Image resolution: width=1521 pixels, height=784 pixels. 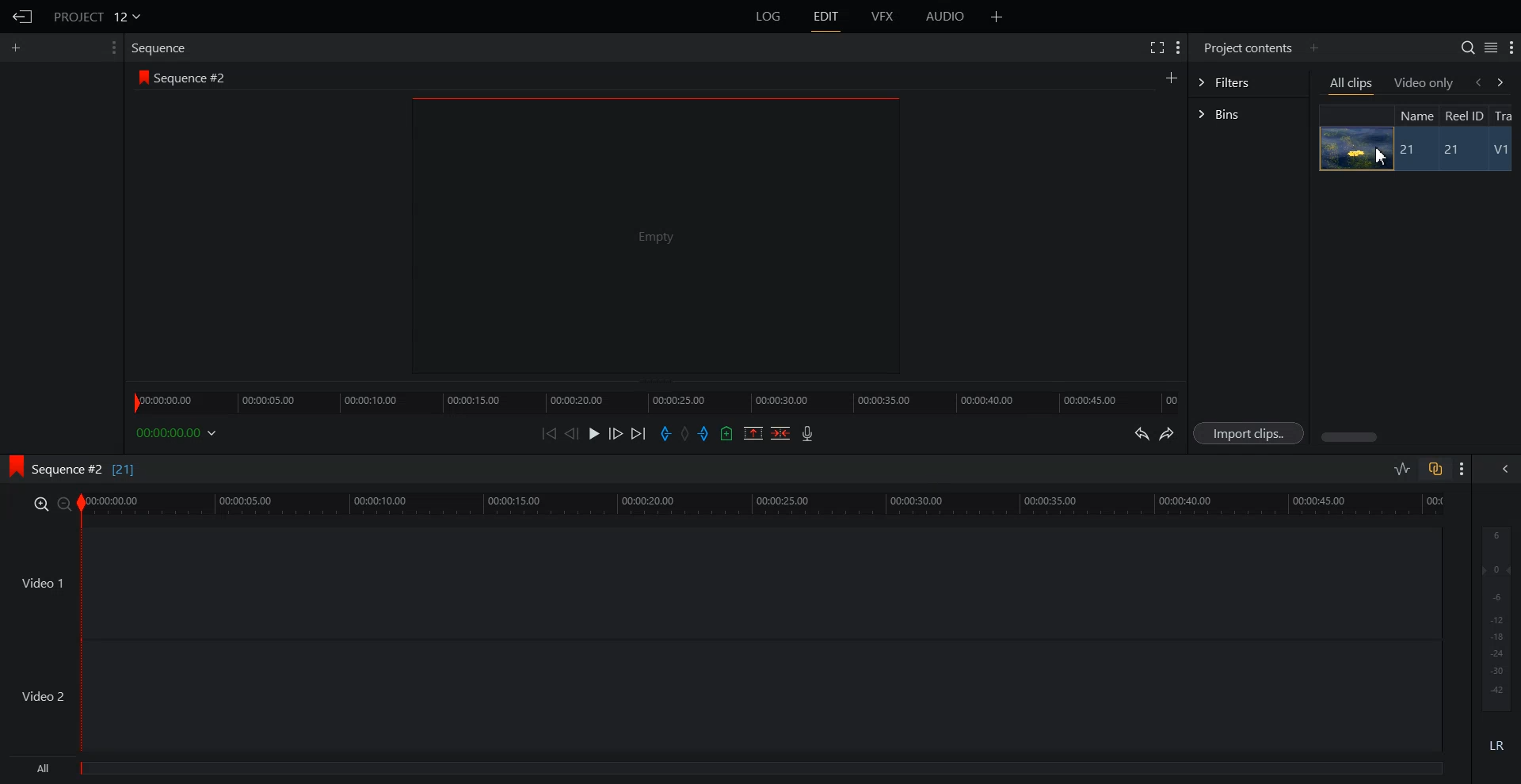 What do you see at coordinates (1178, 48) in the screenshot?
I see `Show setting menu` at bounding box center [1178, 48].